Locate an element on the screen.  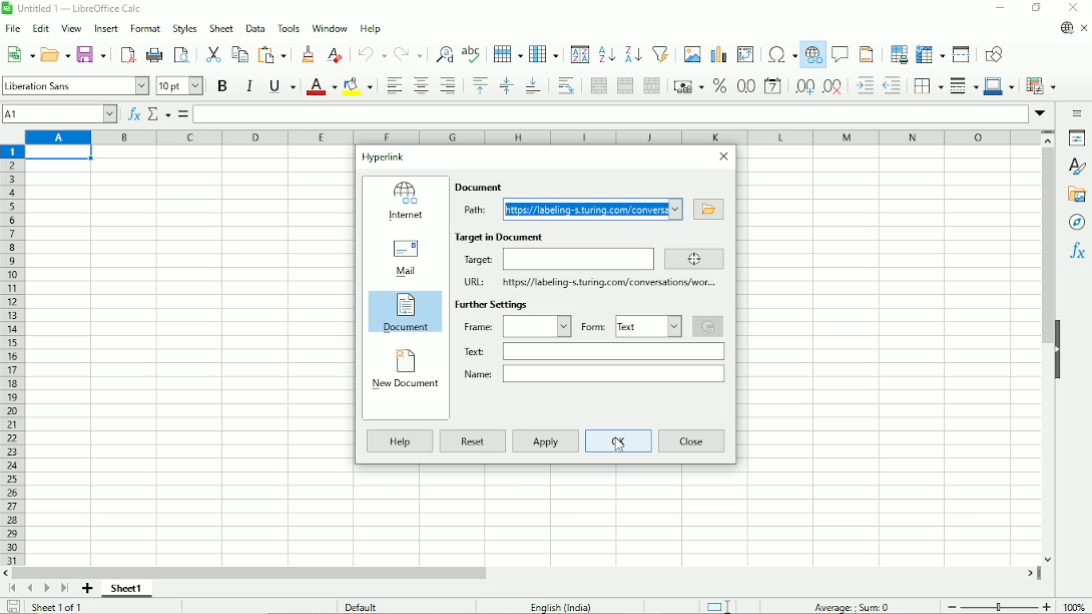
Format as number is located at coordinates (745, 86).